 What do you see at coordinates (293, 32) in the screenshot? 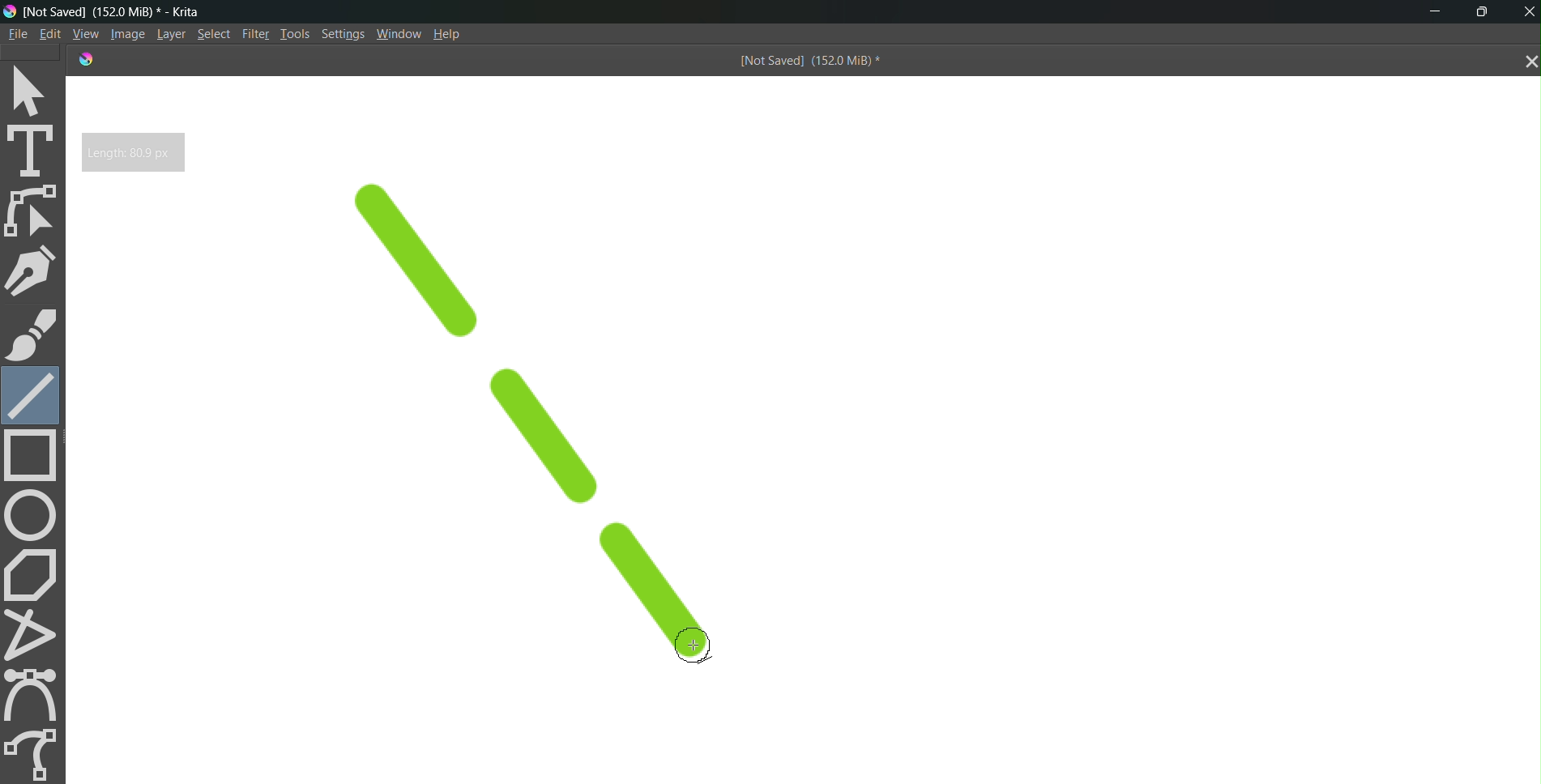
I see `Tools` at bounding box center [293, 32].